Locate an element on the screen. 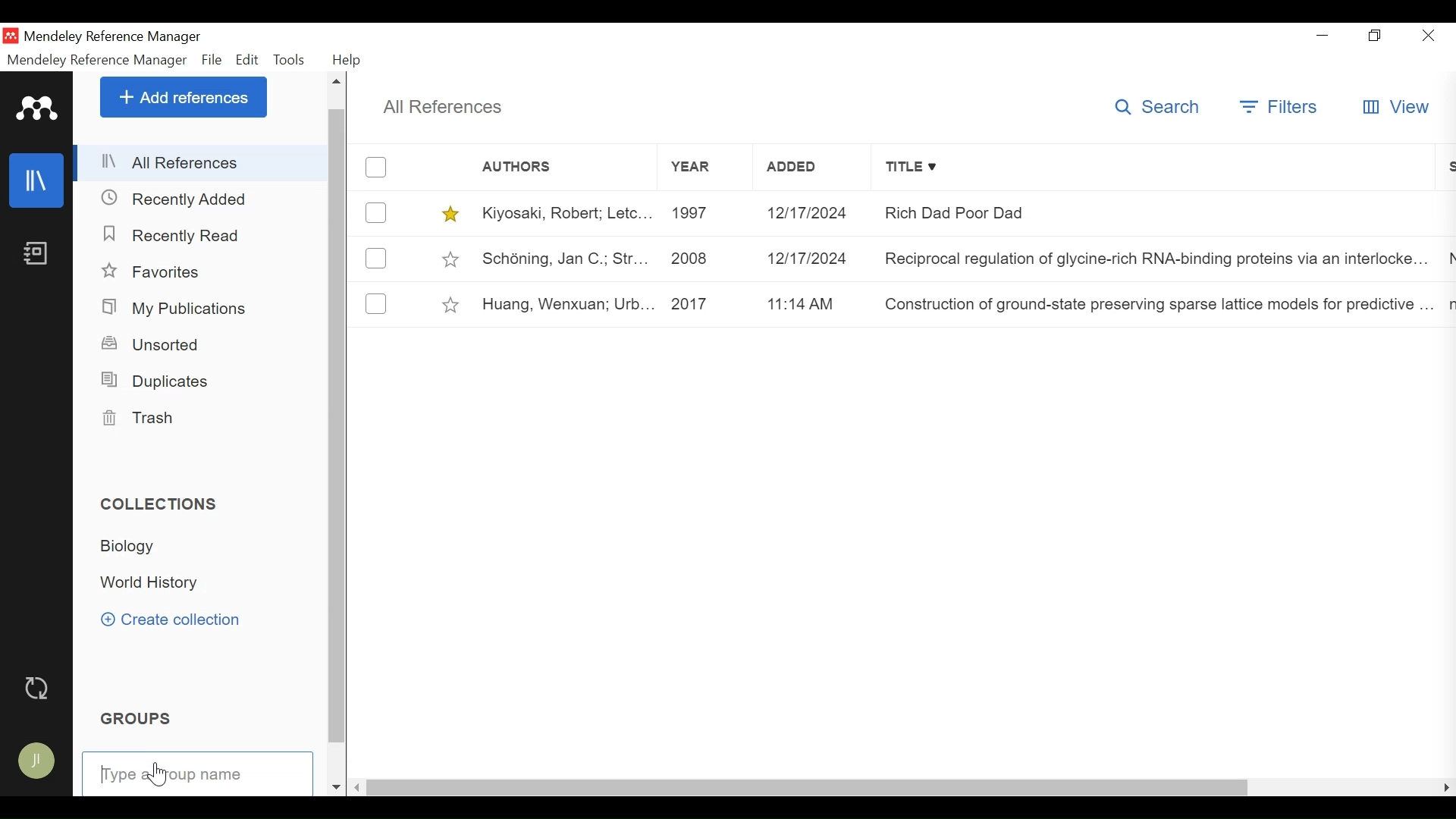 This screenshot has width=1456, height=819. toggle Favorites is located at coordinates (453, 259).